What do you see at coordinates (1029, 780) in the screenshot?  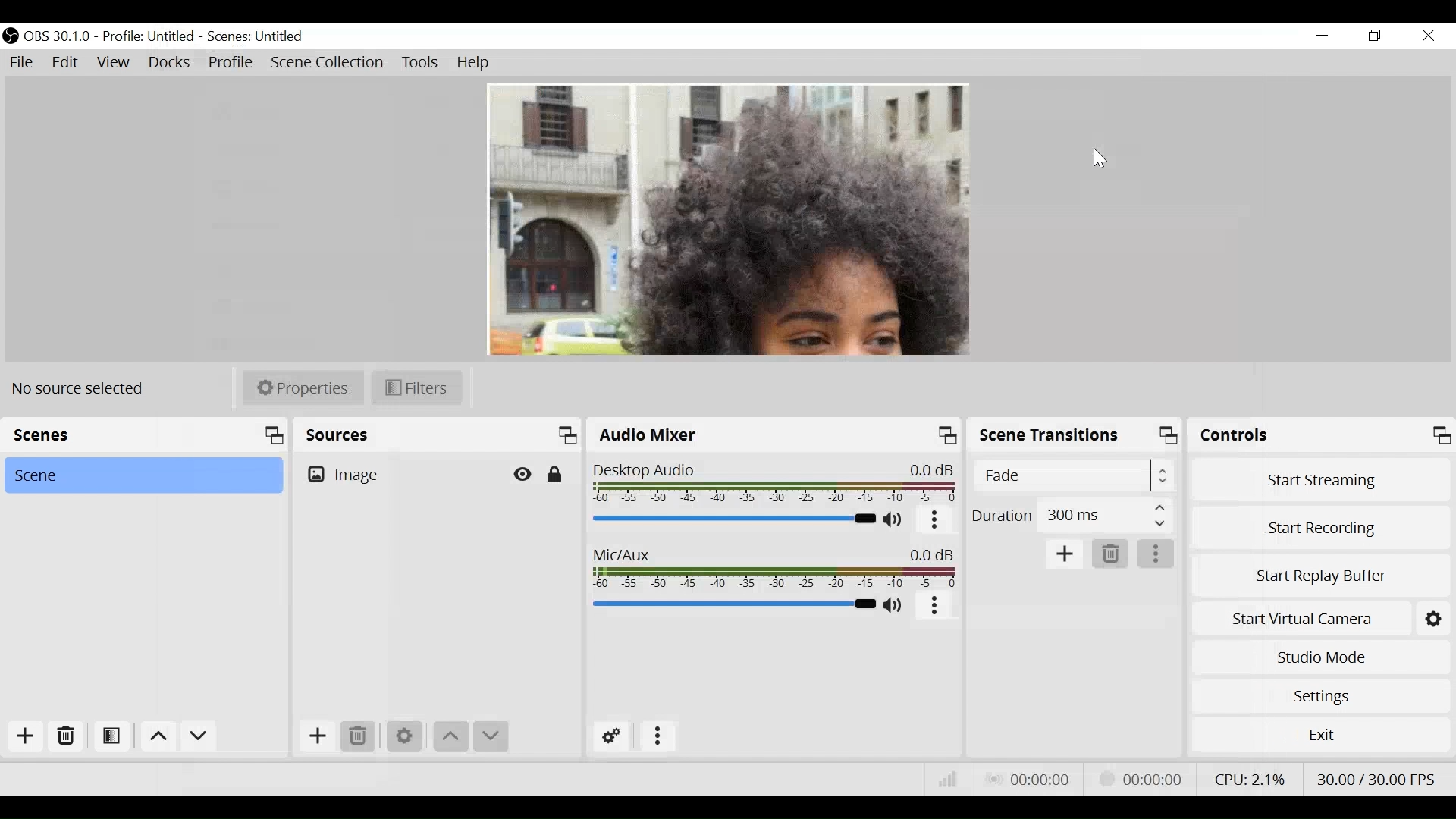 I see `00:00:00` at bounding box center [1029, 780].